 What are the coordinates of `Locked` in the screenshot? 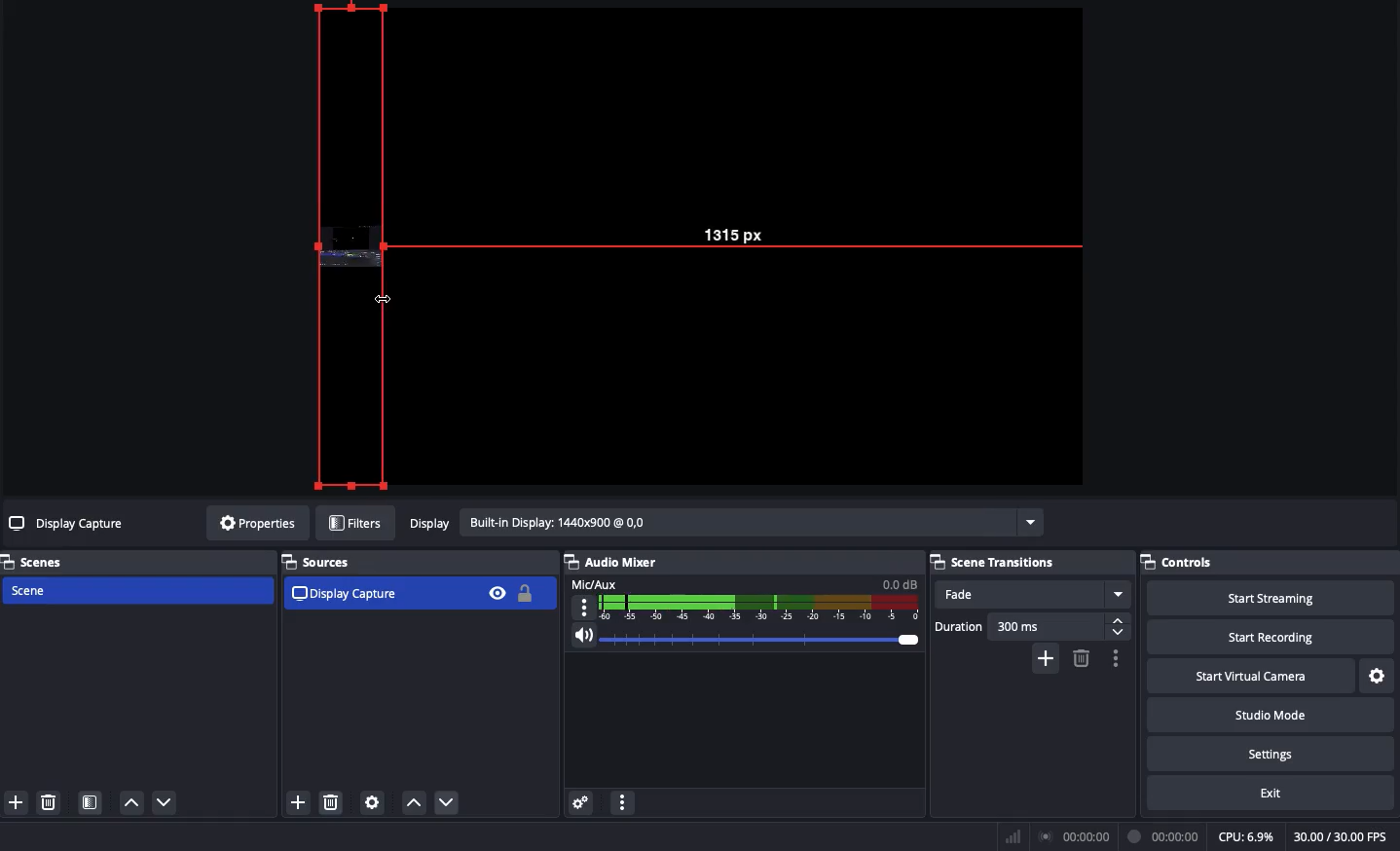 It's located at (523, 593).